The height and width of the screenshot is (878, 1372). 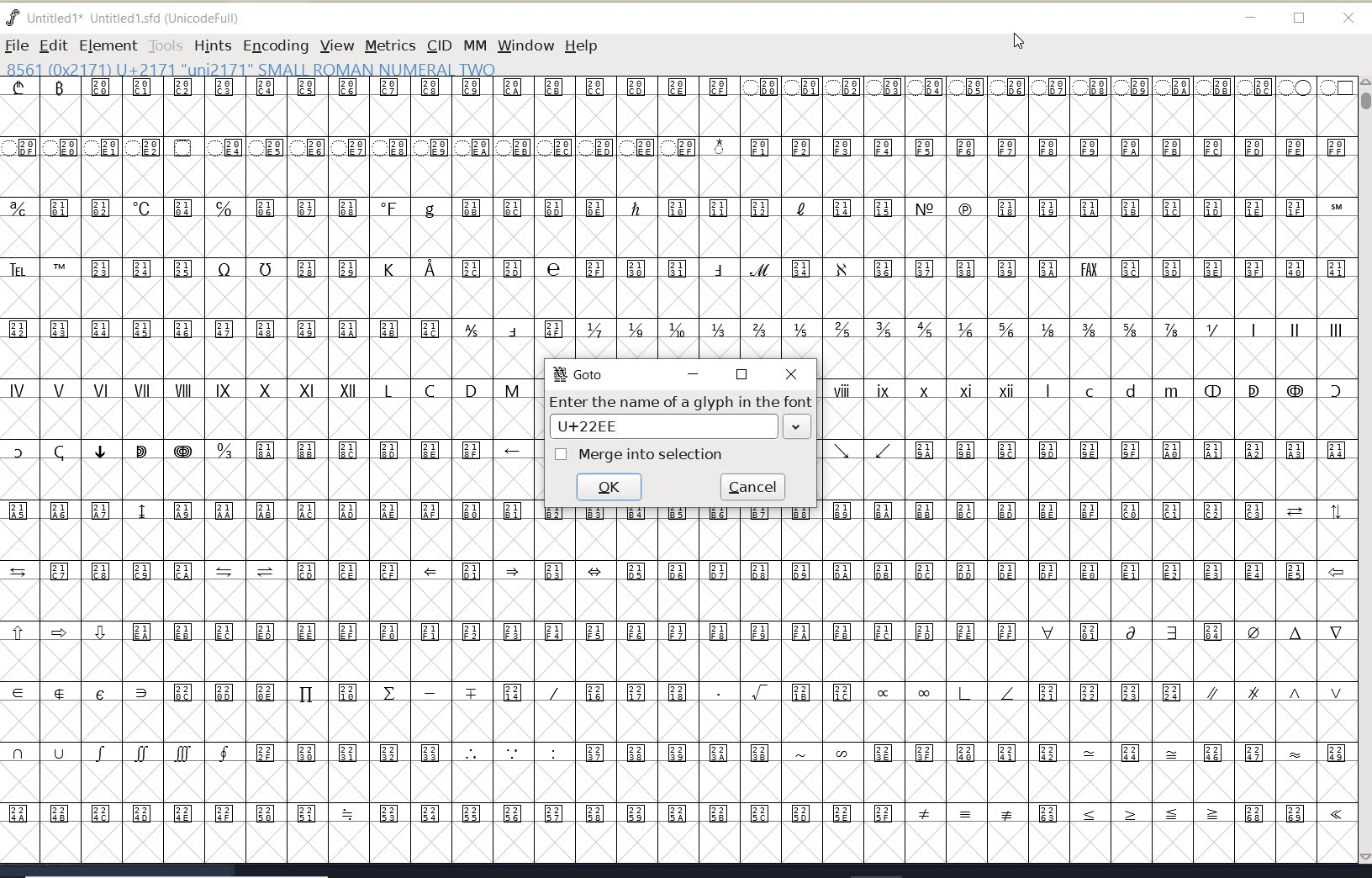 I want to click on close, so click(x=1348, y=19).